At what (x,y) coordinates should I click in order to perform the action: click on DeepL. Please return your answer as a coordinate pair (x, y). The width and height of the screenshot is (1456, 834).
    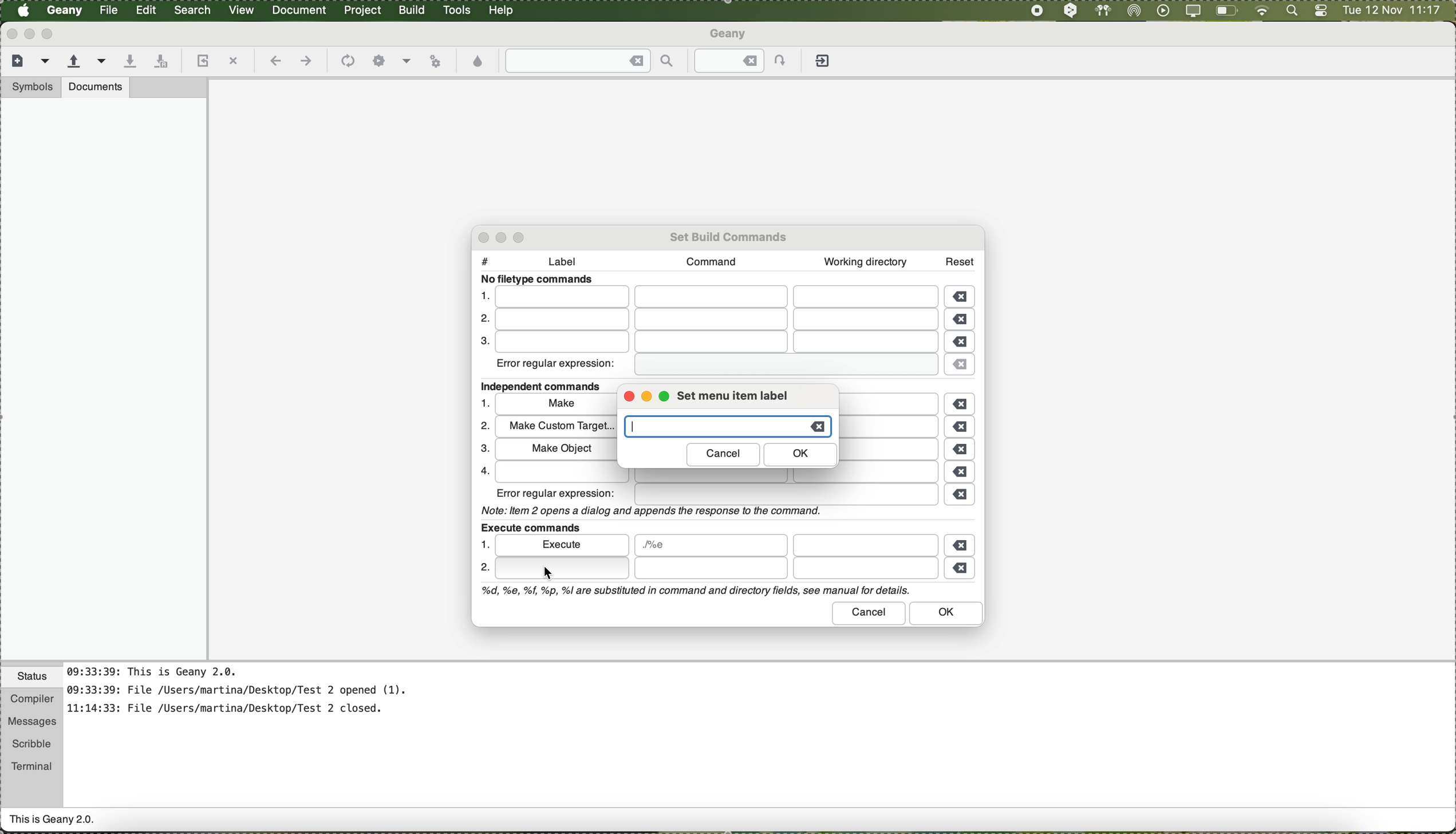
    Looking at the image, I should click on (1071, 11).